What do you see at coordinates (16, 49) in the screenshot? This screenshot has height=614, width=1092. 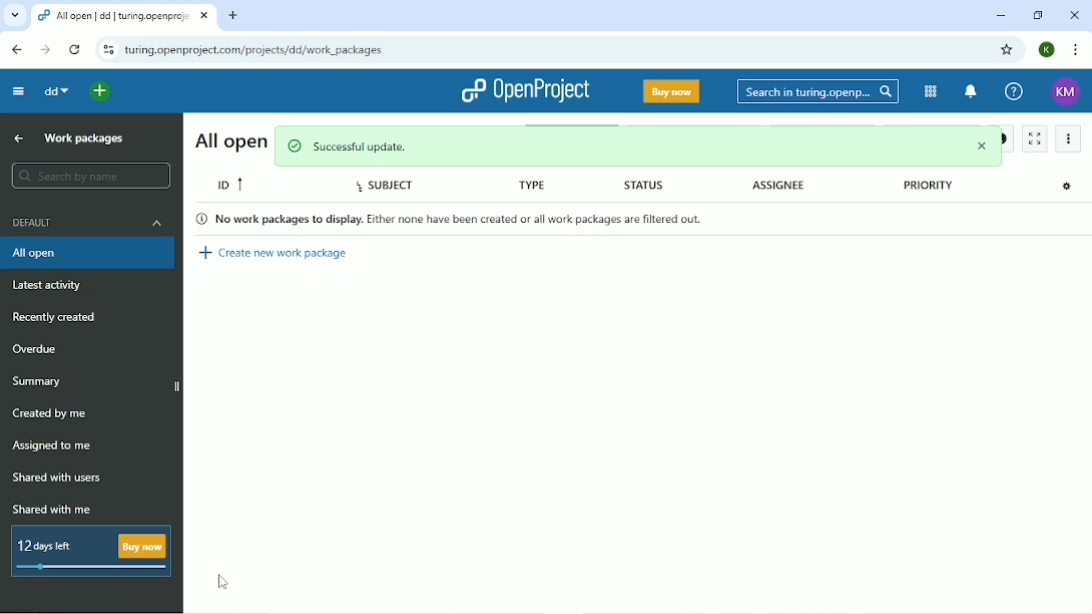 I see `Back` at bounding box center [16, 49].